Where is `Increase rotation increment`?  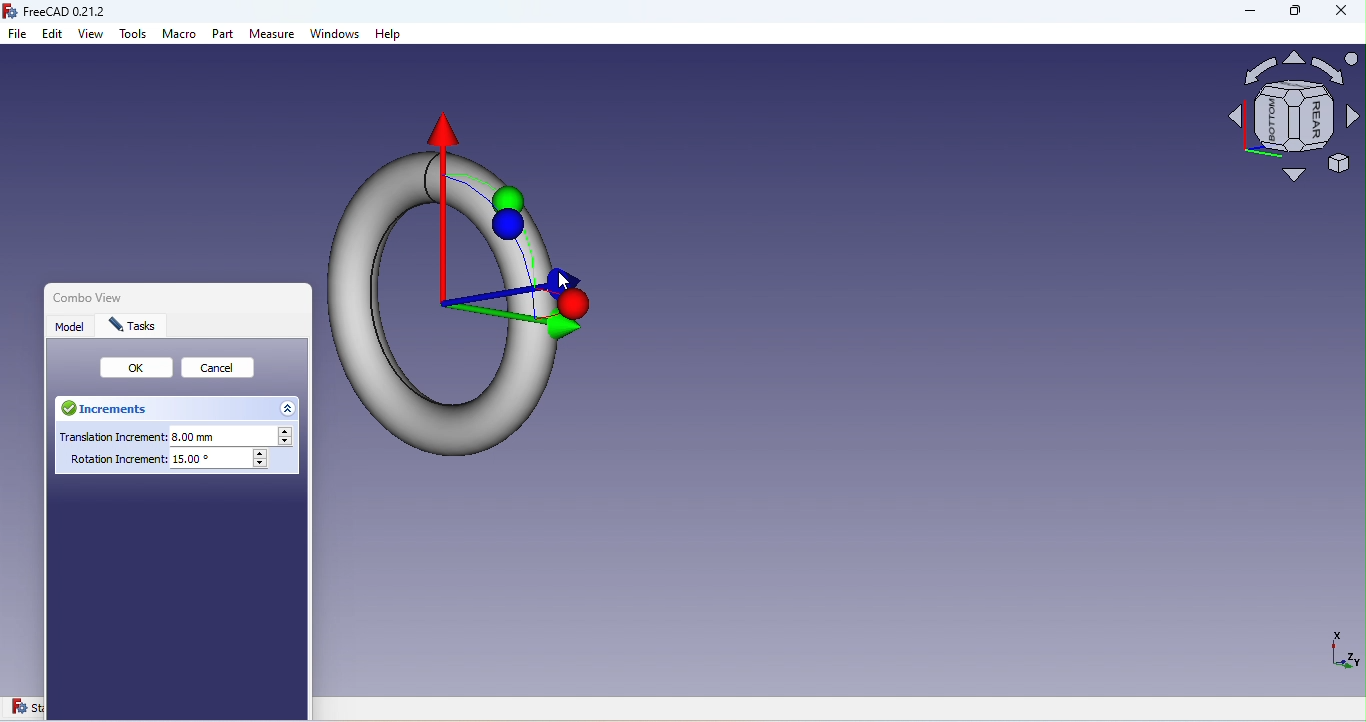 Increase rotation increment is located at coordinates (261, 453).